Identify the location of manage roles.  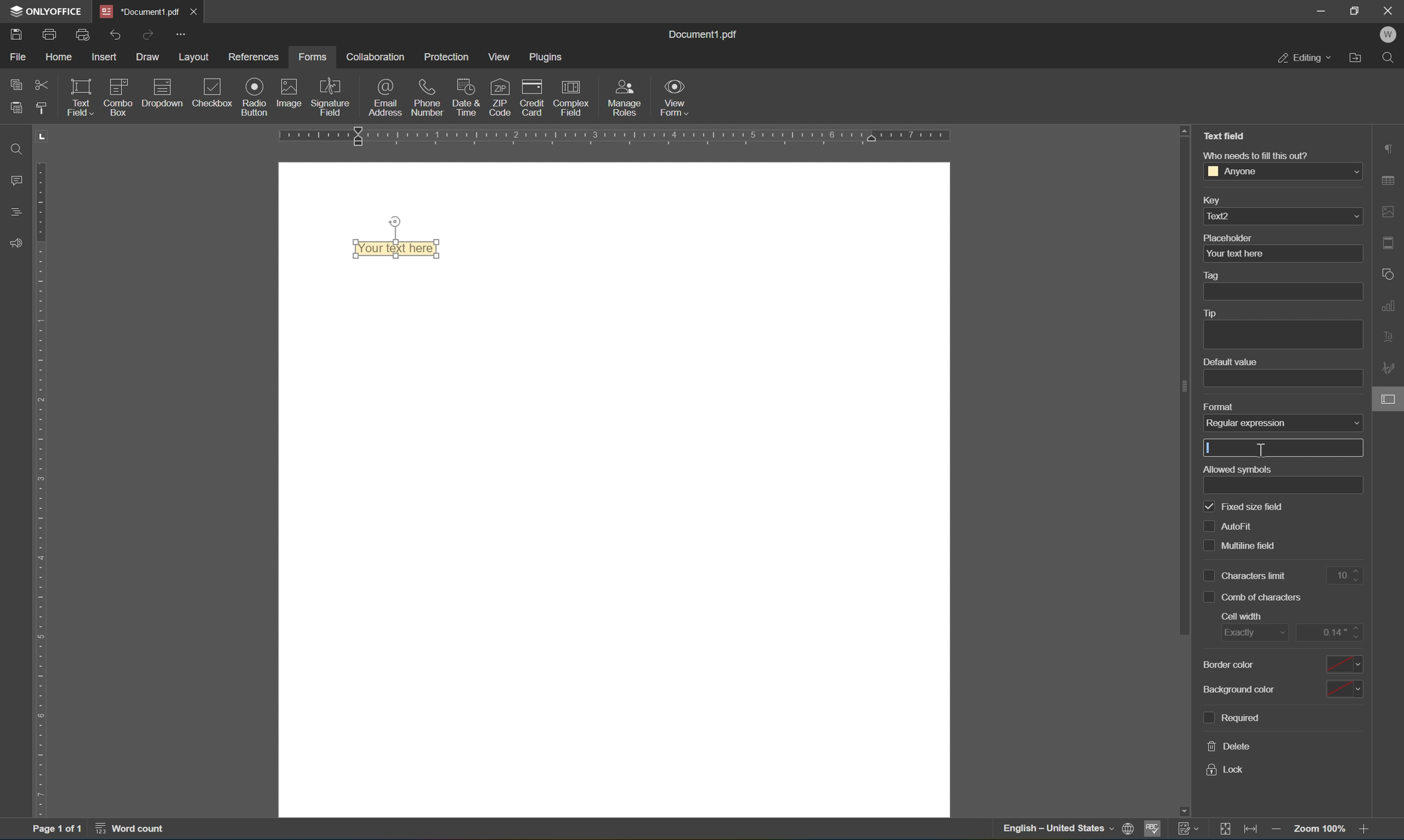
(625, 97).